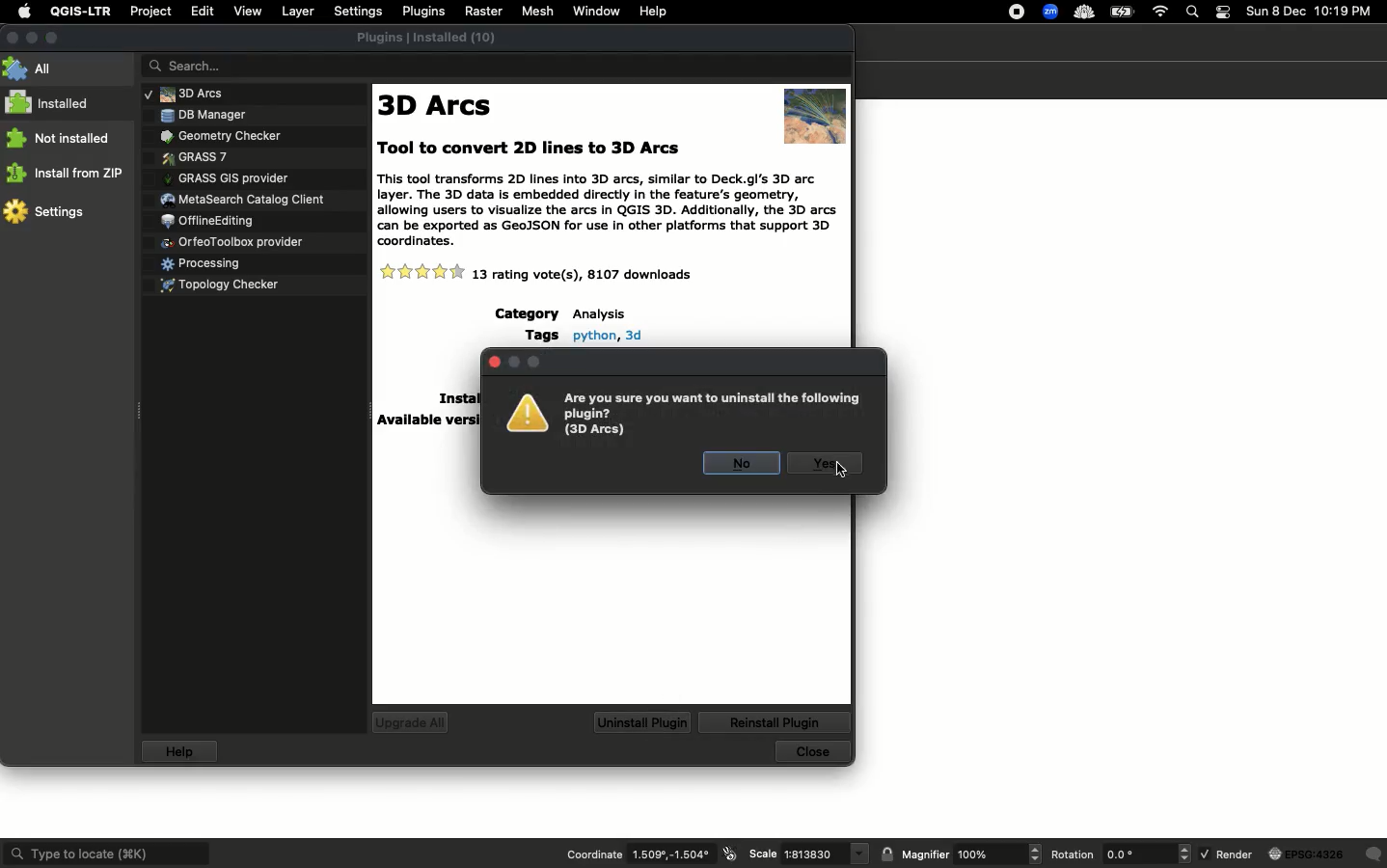 The height and width of the screenshot is (868, 1387). What do you see at coordinates (1069, 12) in the screenshot?
I see `Extensions` at bounding box center [1069, 12].